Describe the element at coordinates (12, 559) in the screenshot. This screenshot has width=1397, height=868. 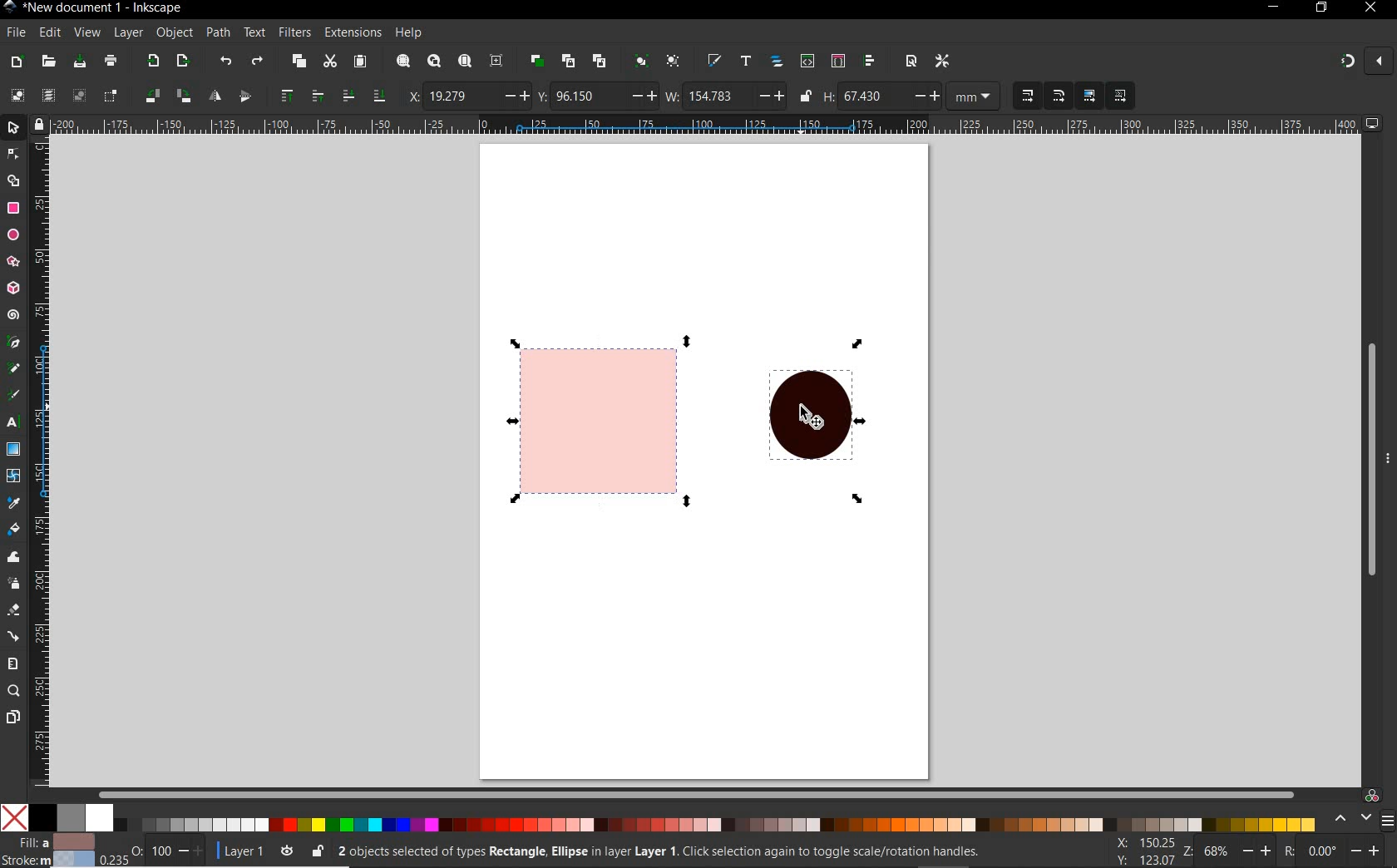
I see `tweak tool` at that location.